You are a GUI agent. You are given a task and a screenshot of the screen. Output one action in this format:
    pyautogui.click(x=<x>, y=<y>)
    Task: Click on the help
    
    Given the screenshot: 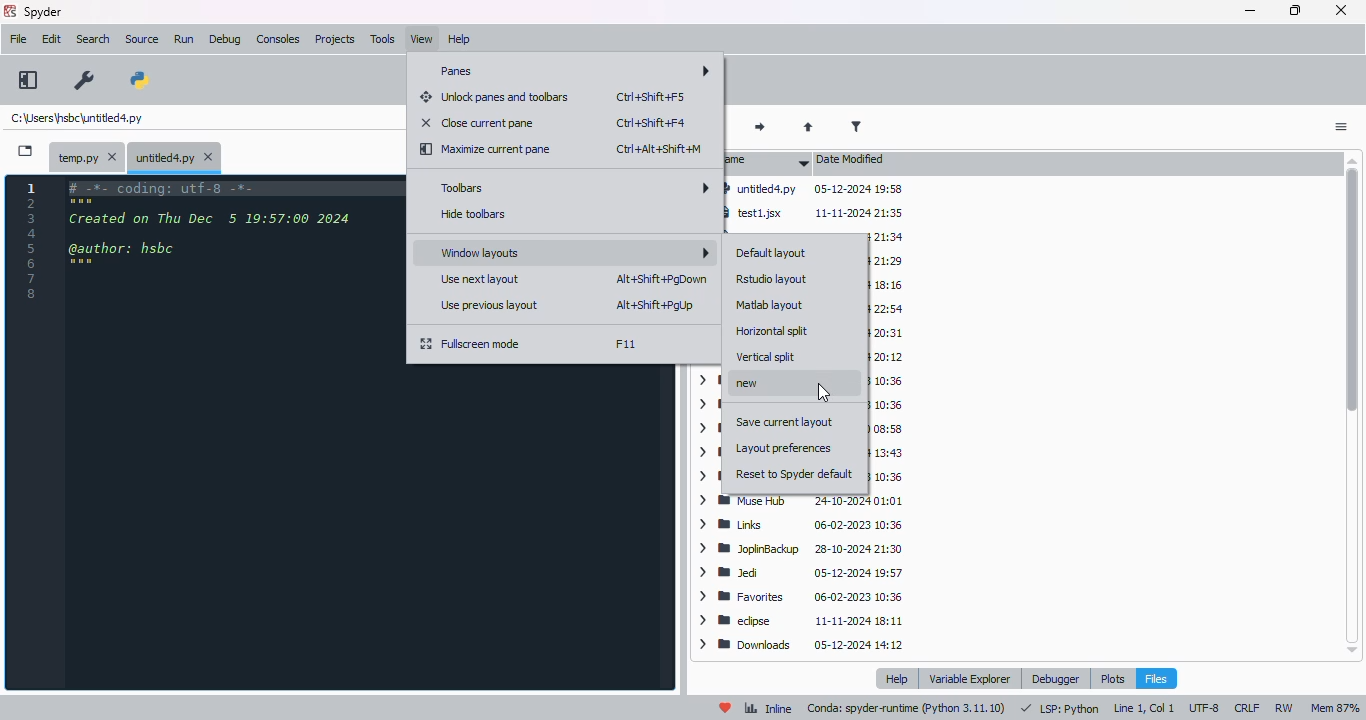 What is the action you would take?
    pyautogui.click(x=459, y=39)
    